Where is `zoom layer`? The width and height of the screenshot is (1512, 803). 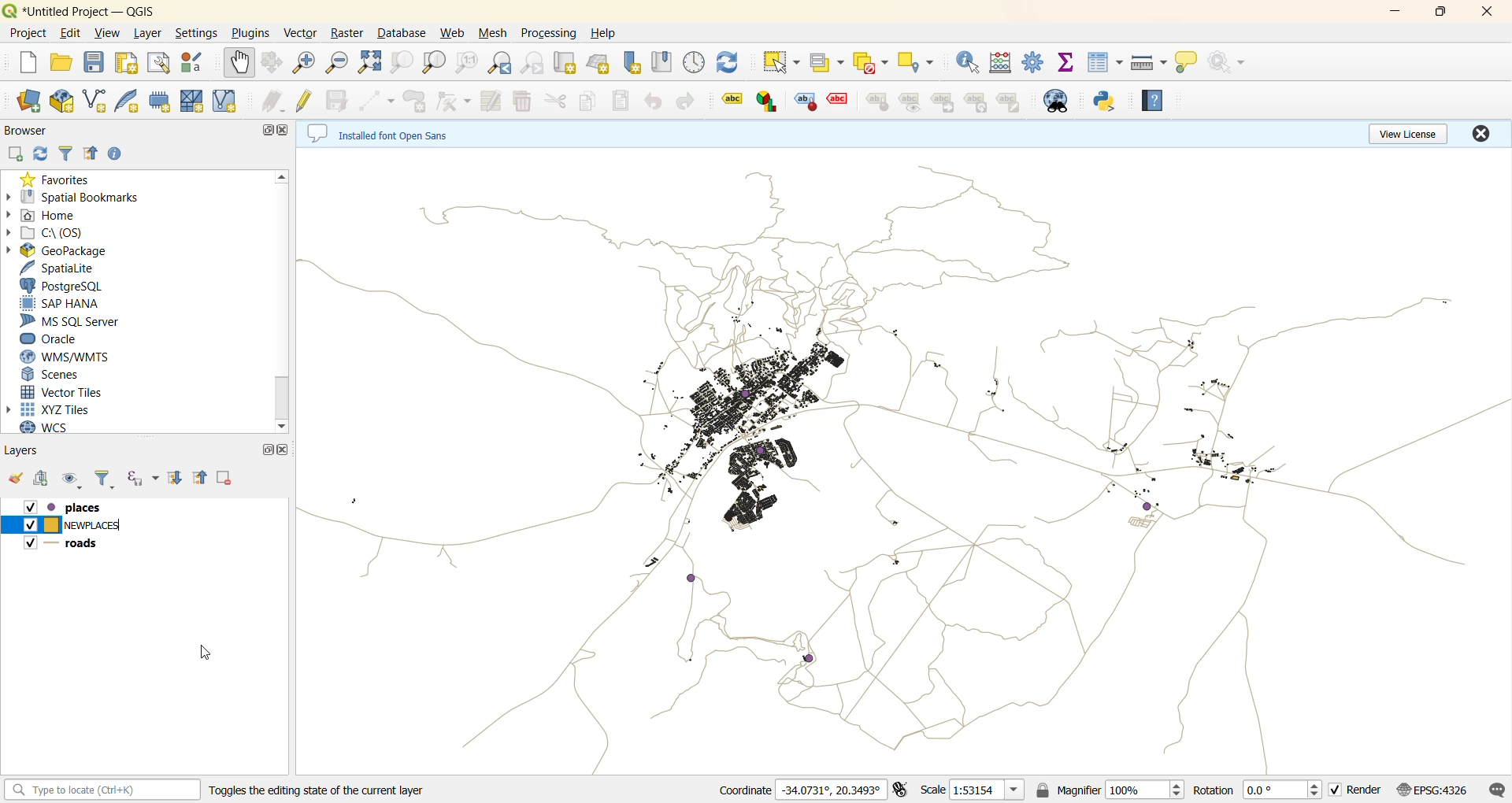 zoom layer is located at coordinates (432, 62).